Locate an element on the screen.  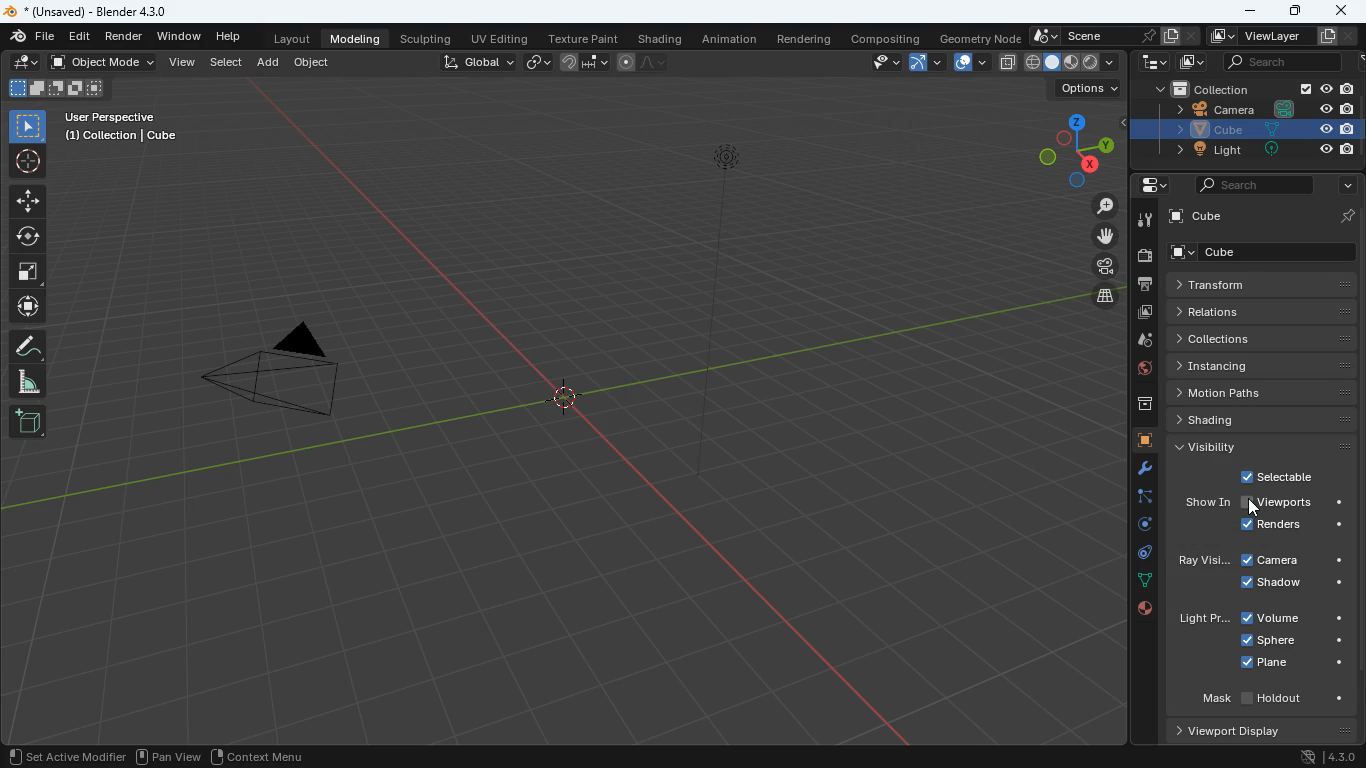
geometry node is located at coordinates (975, 37).